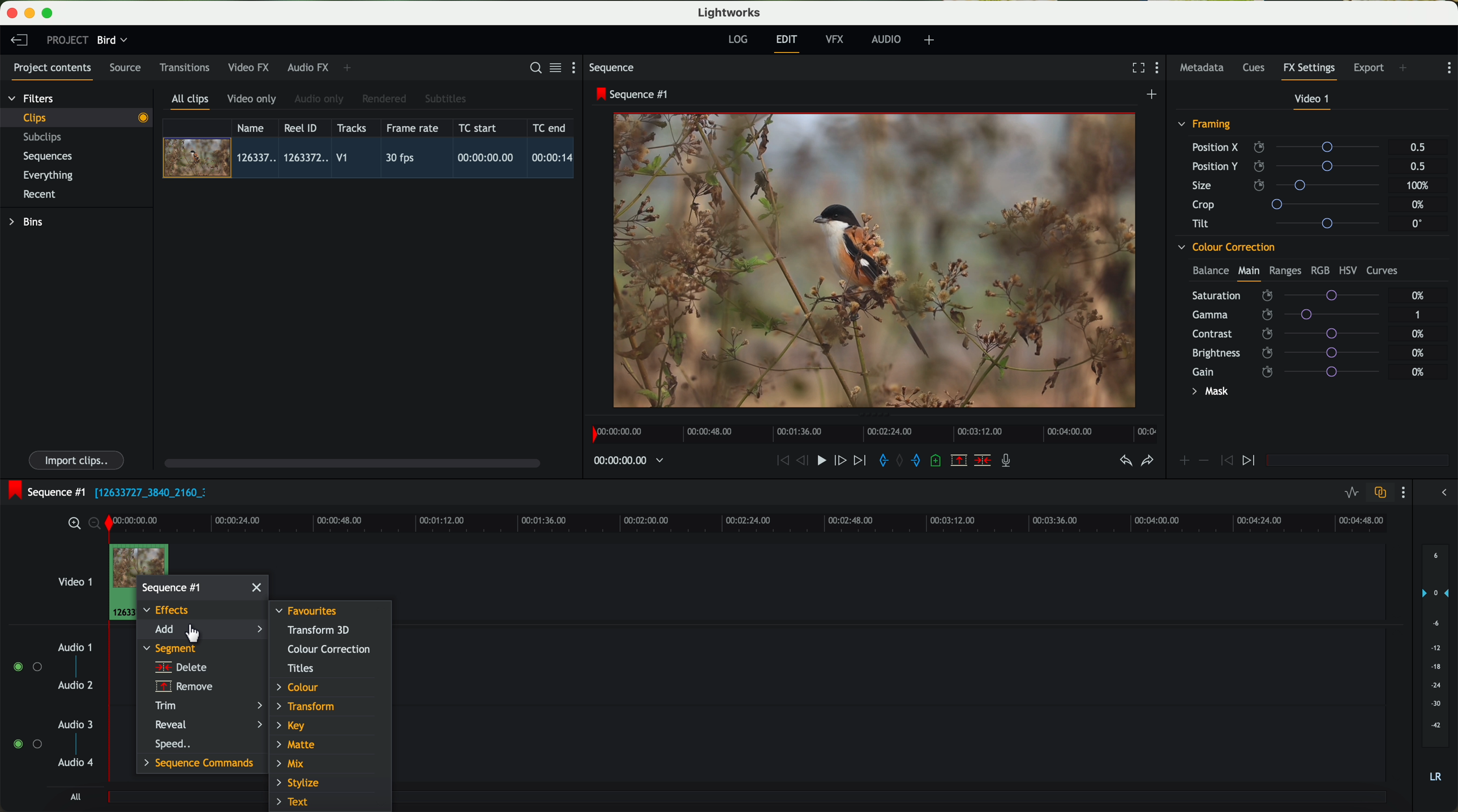 The width and height of the screenshot is (1458, 812). What do you see at coordinates (859, 461) in the screenshot?
I see `move foward` at bounding box center [859, 461].